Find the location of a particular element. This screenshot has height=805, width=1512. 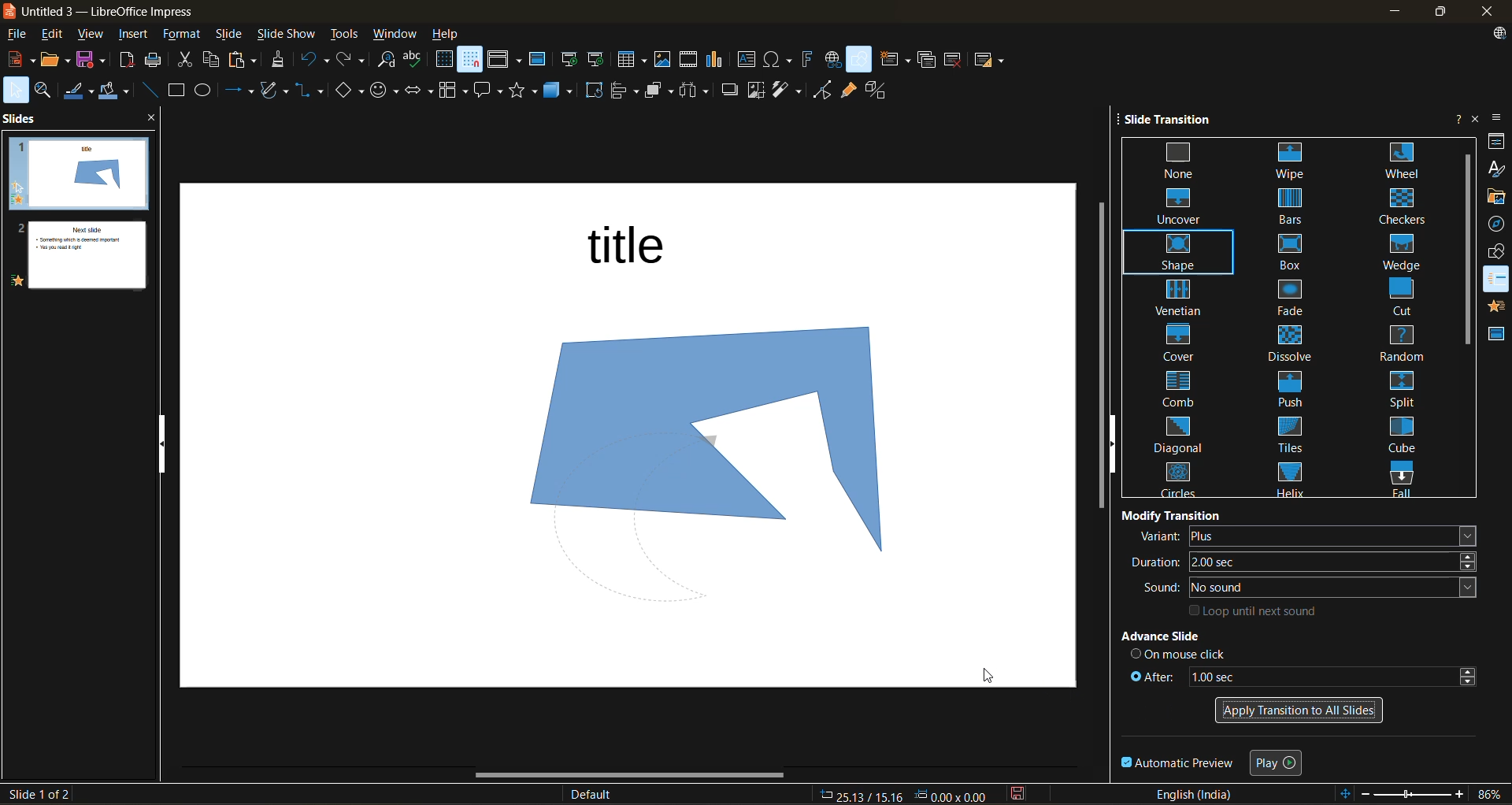

format is located at coordinates (184, 35).